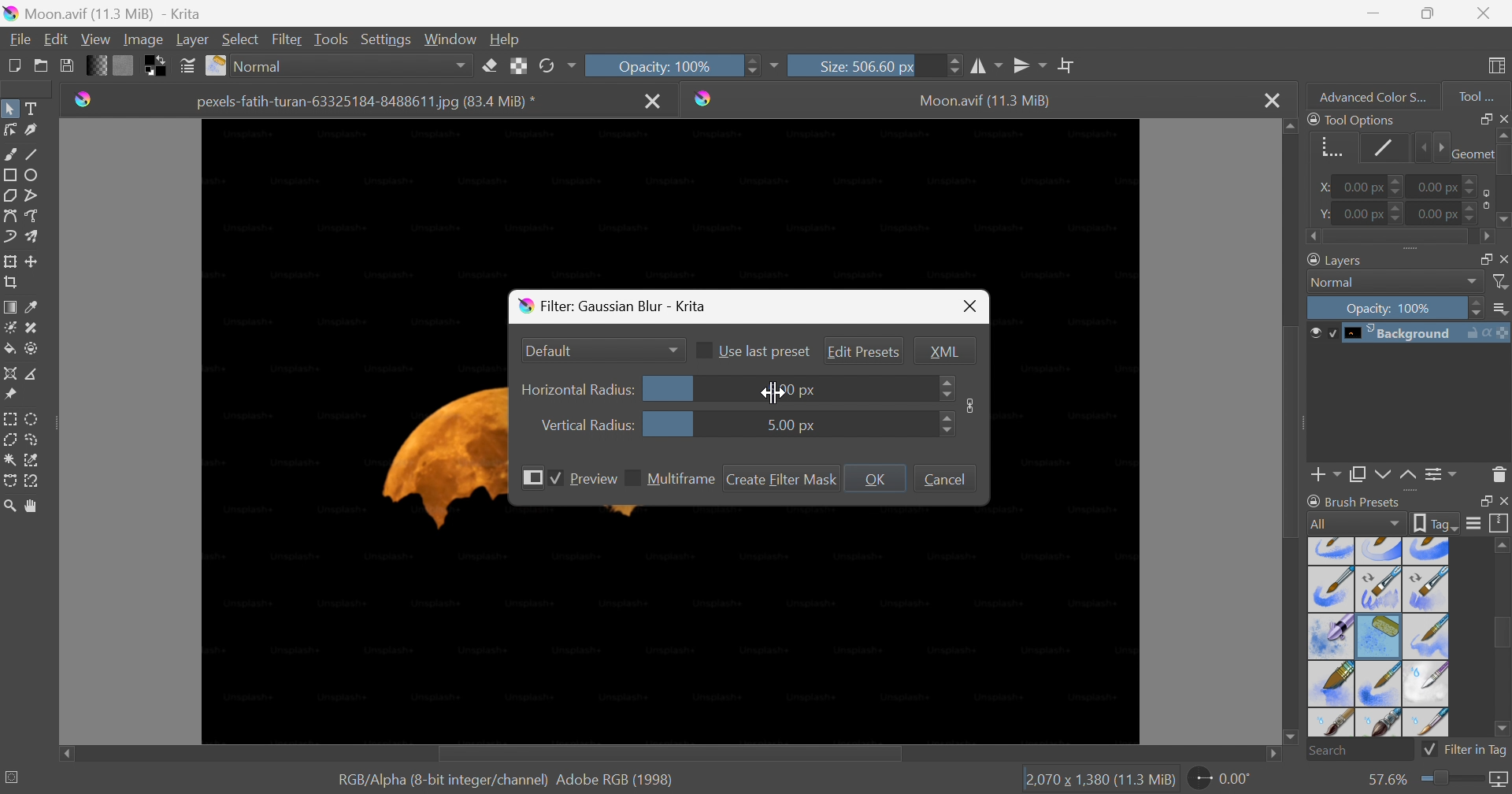 Image resolution: width=1512 pixels, height=794 pixels. I want to click on Moon.avif (11.3 MiB - Krita), so click(101, 12).